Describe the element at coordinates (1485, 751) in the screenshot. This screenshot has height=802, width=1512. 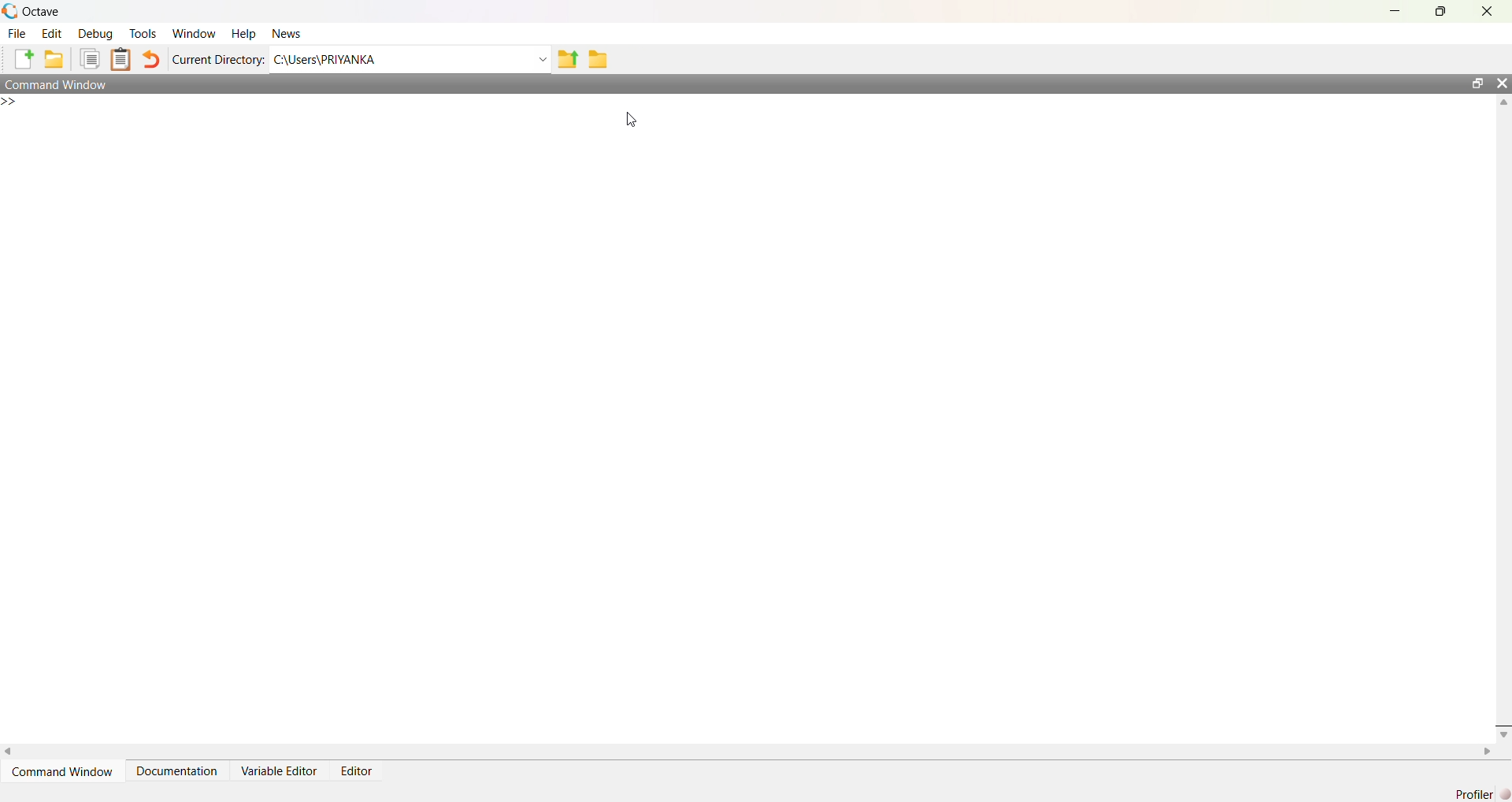
I see `Right Scroll` at that location.